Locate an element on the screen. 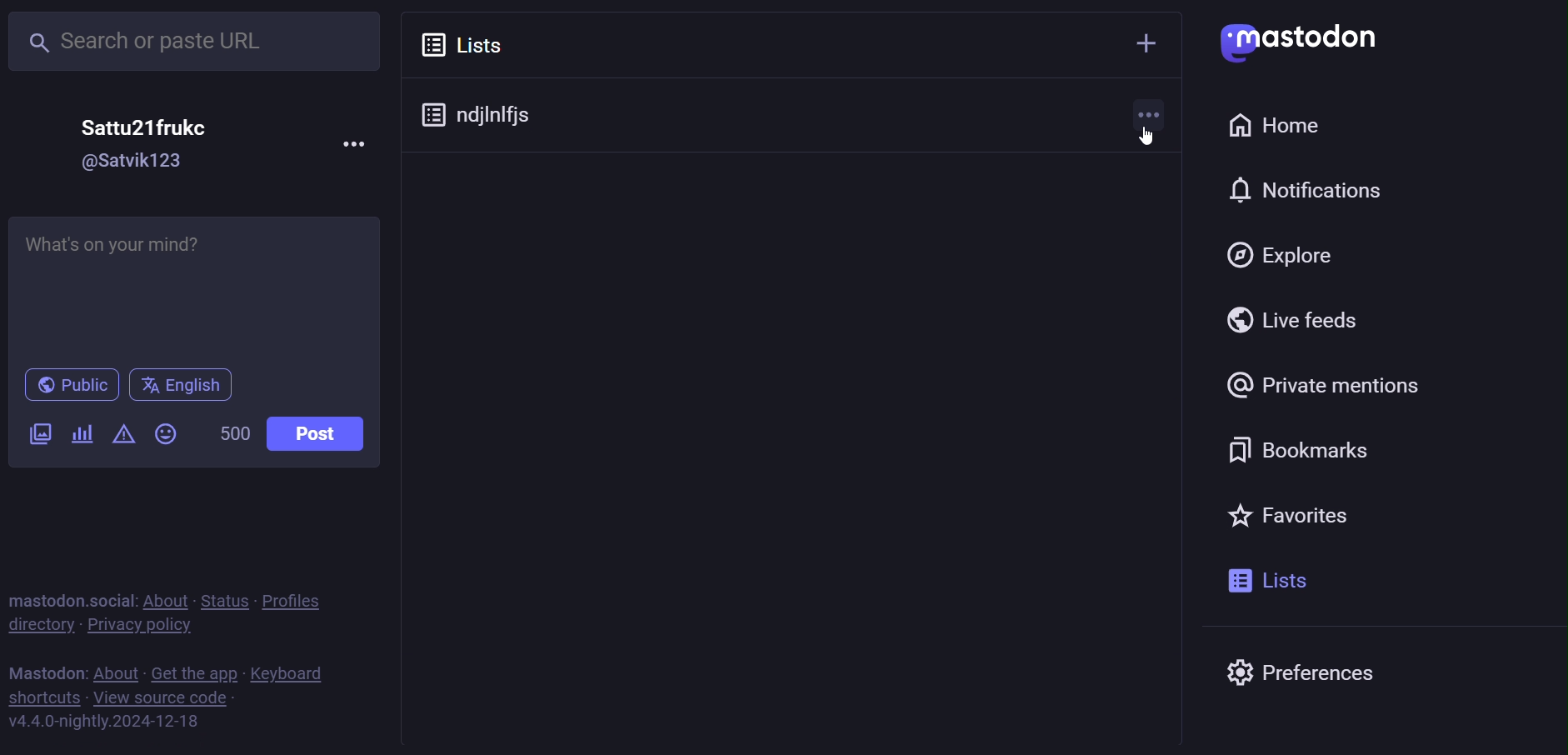  more is located at coordinates (1151, 115).